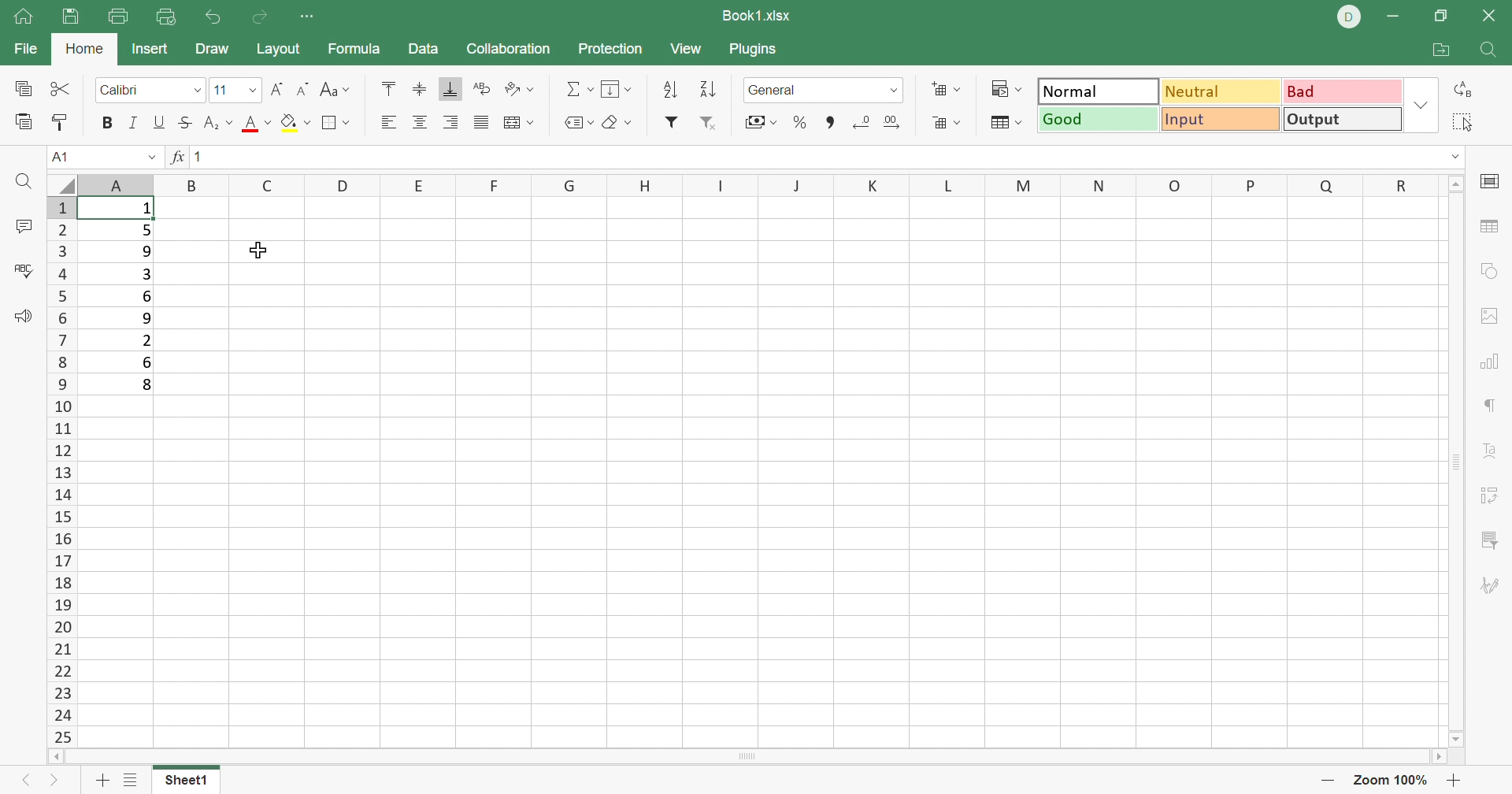  Describe the element at coordinates (262, 249) in the screenshot. I see `Cursor` at that location.